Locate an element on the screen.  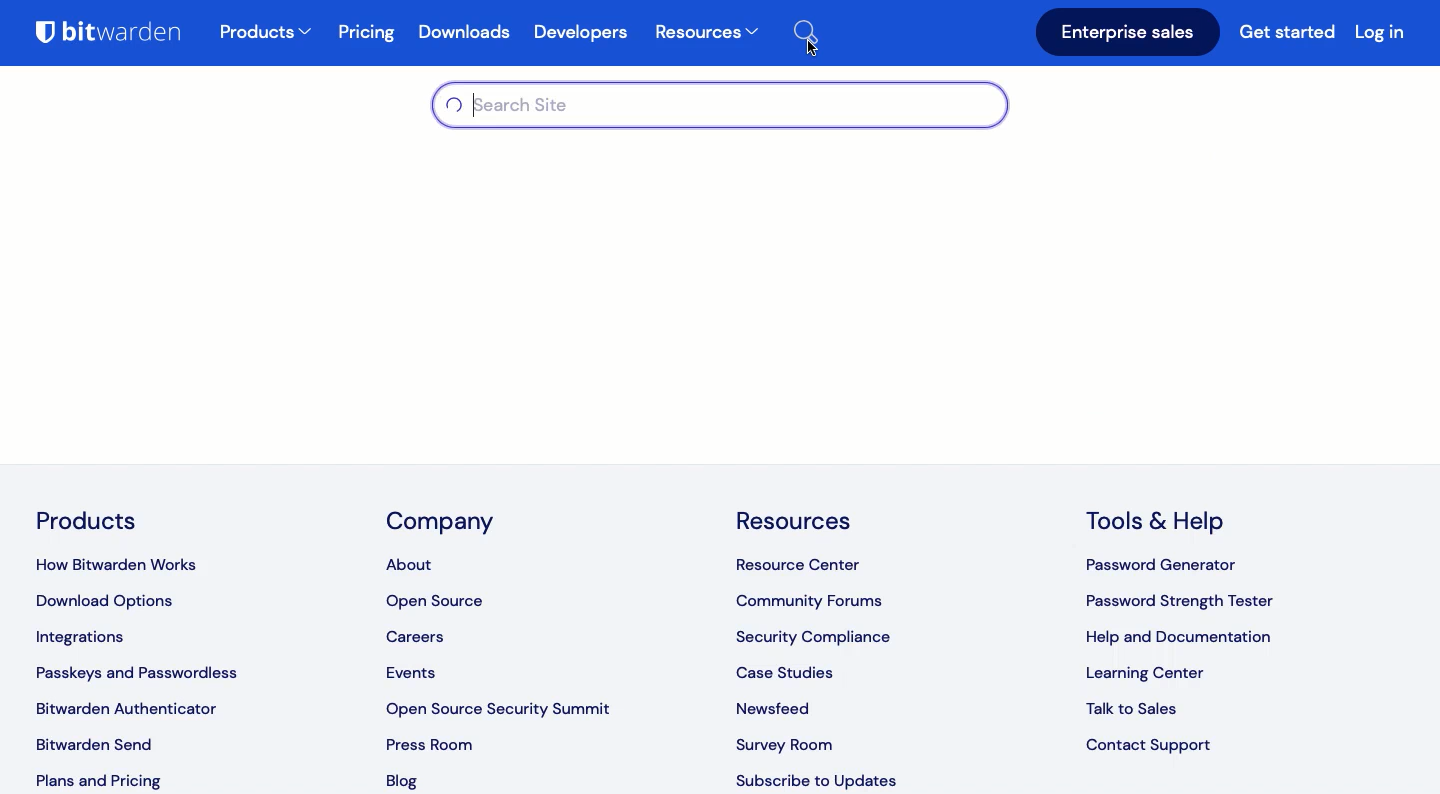
how bit warden works is located at coordinates (130, 560).